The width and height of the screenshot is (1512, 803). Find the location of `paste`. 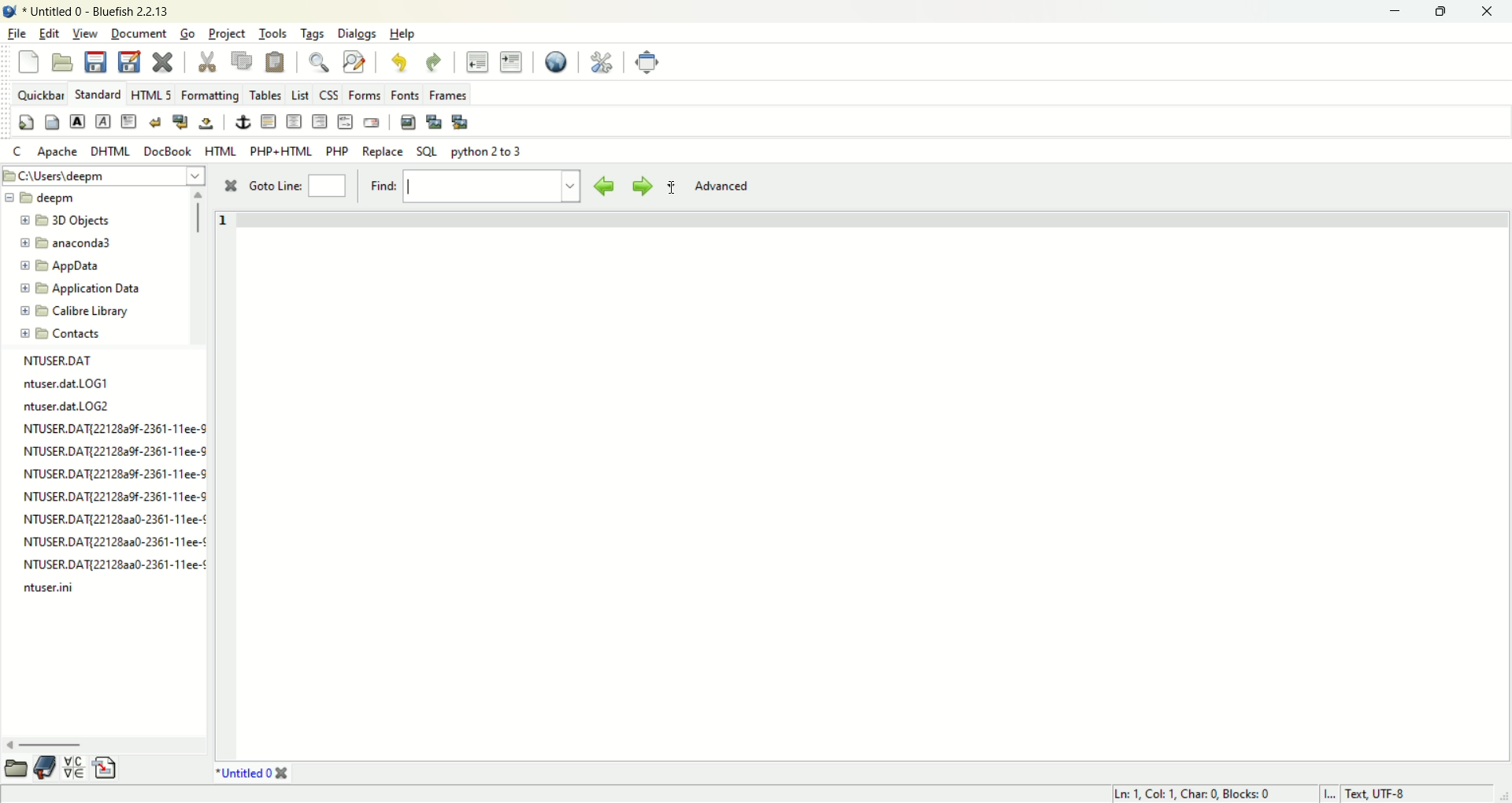

paste is located at coordinates (275, 61).